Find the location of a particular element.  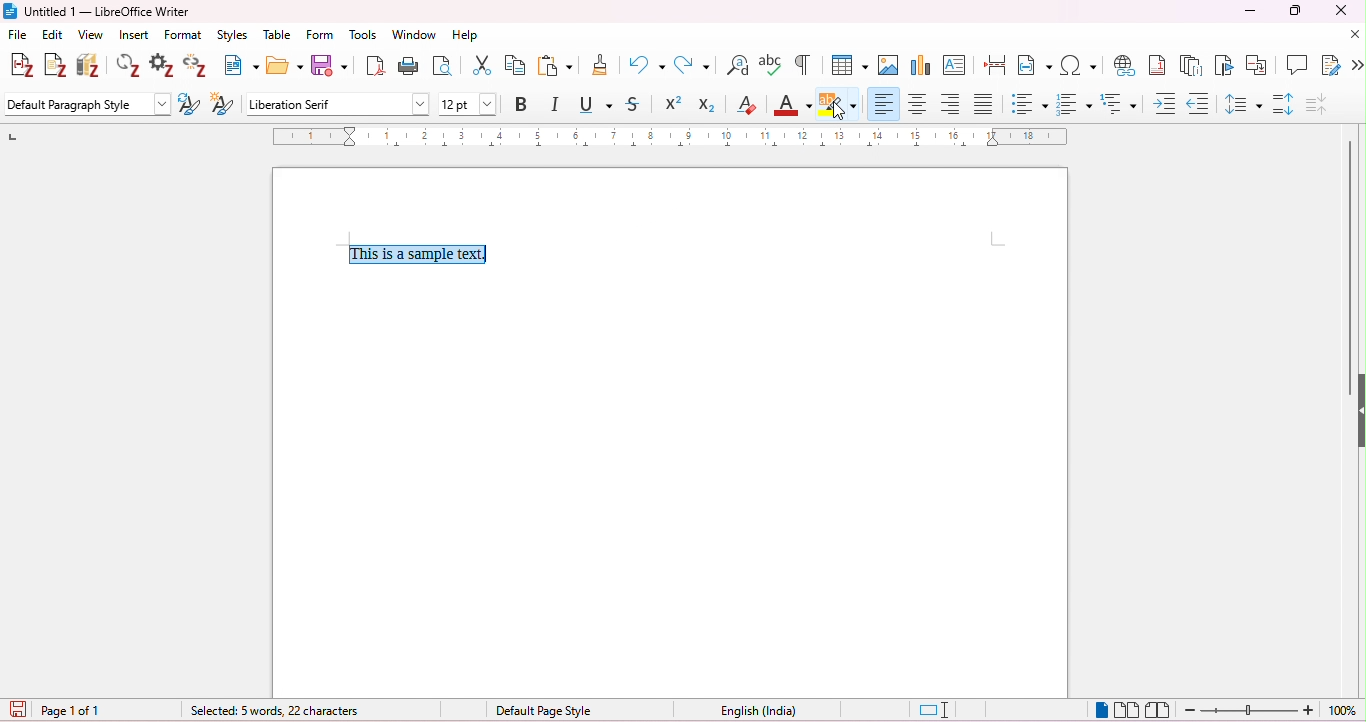

close is located at coordinates (1338, 10).